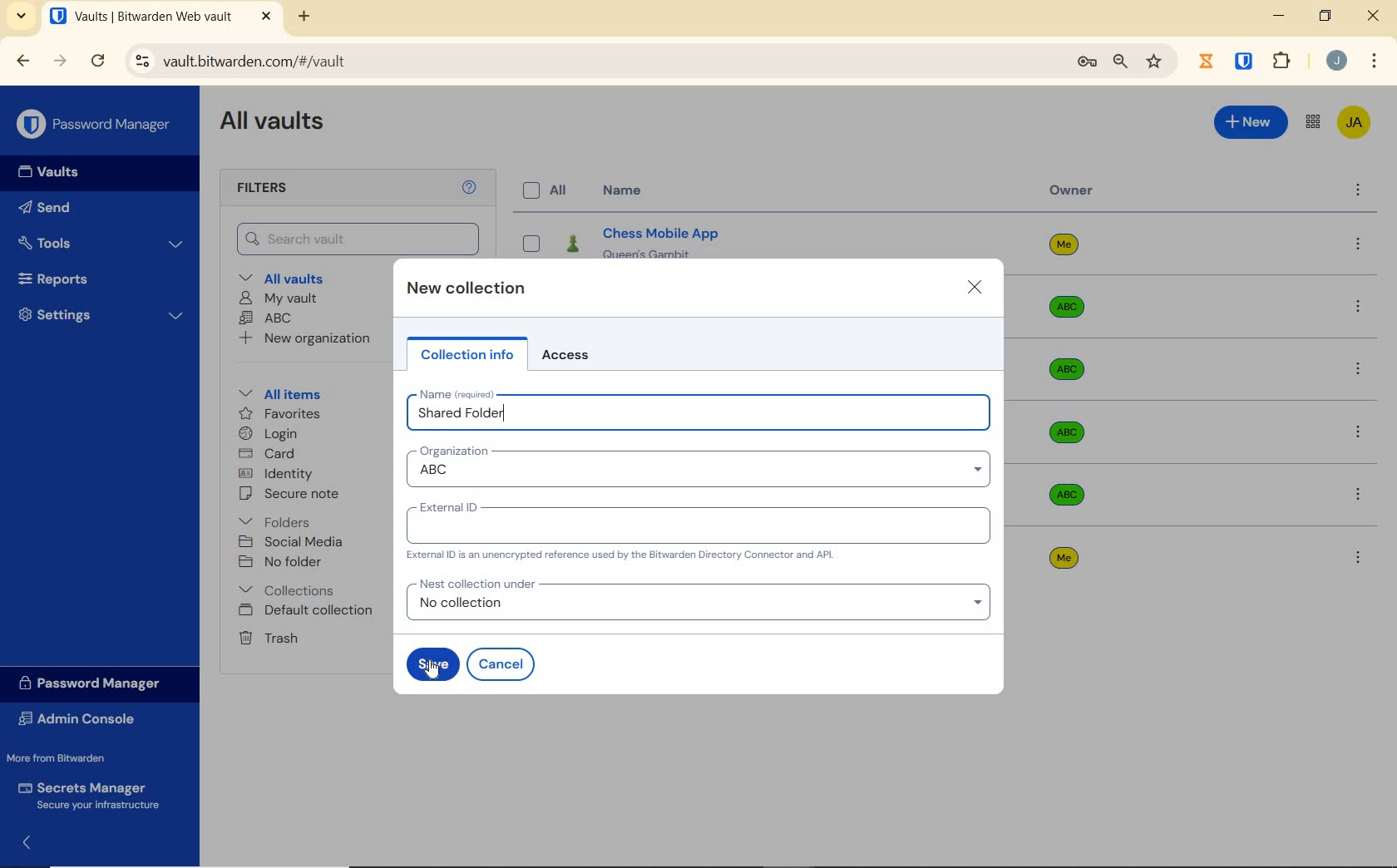 The width and height of the screenshot is (1397, 868). What do you see at coordinates (282, 519) in the screenshot?
I see `folders` at bounding box center [282, 519].